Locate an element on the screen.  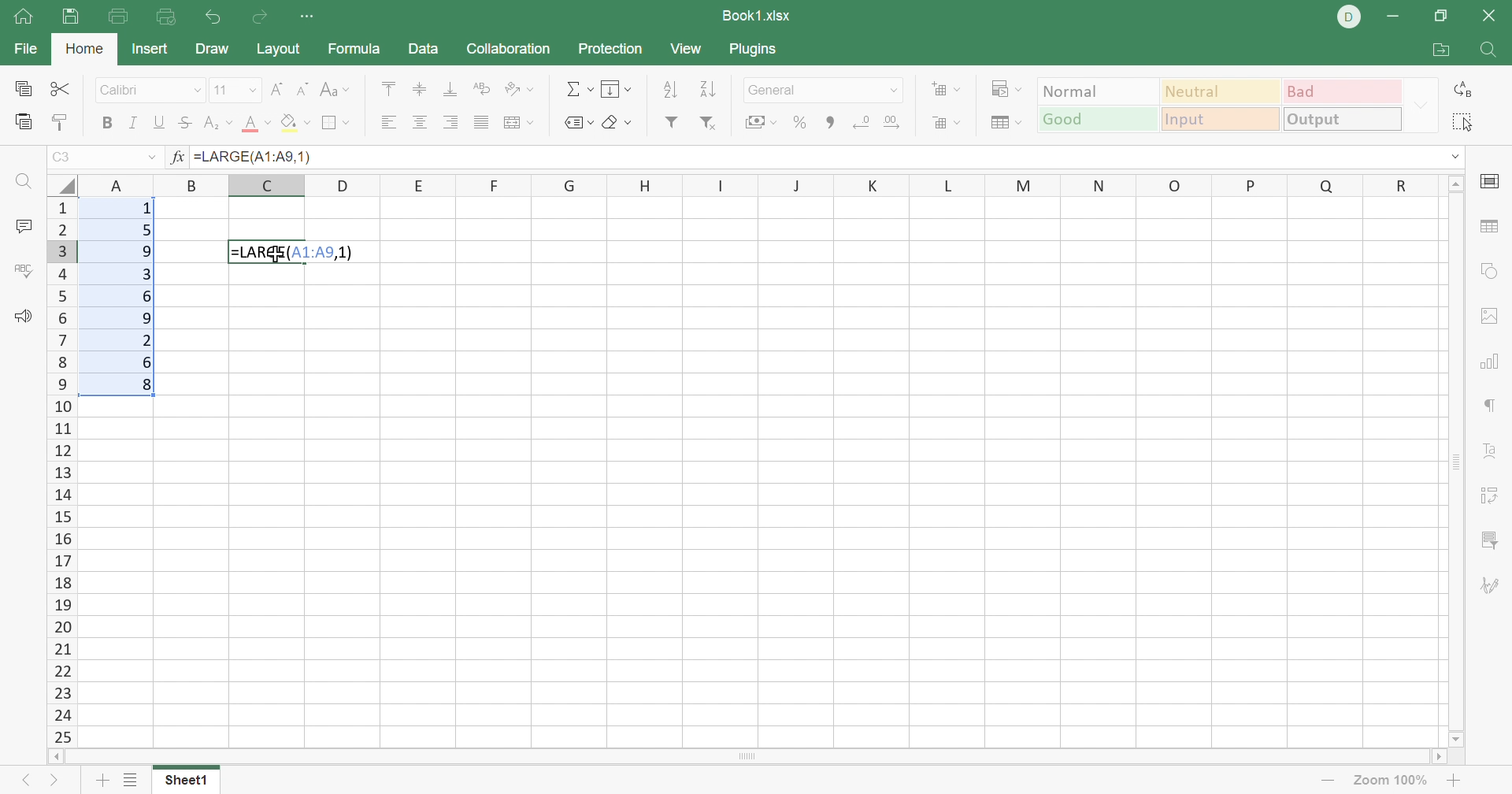
Formula is located at coordinates (353, 51).